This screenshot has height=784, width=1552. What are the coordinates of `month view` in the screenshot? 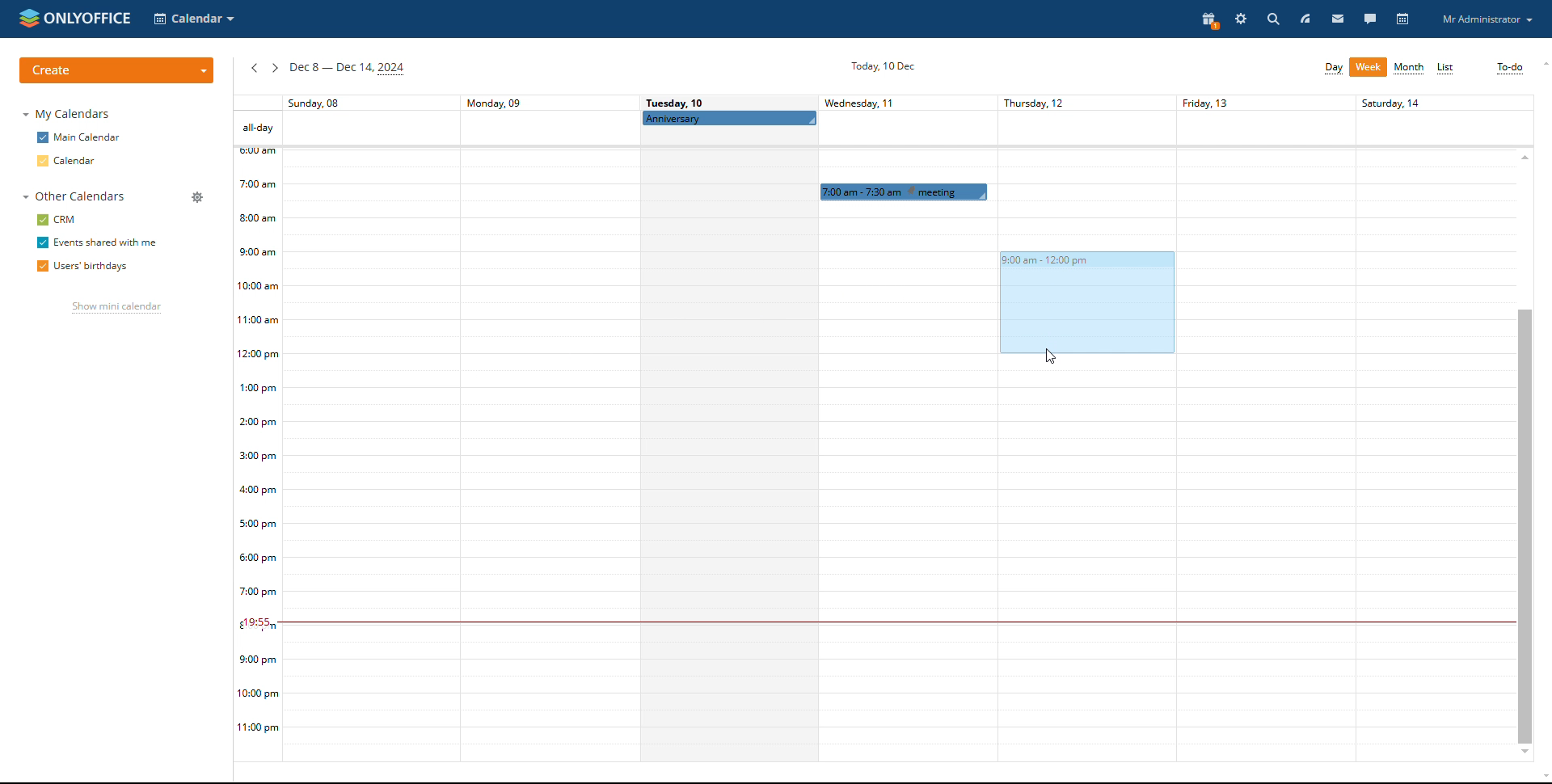 It's located at (1410, 69).